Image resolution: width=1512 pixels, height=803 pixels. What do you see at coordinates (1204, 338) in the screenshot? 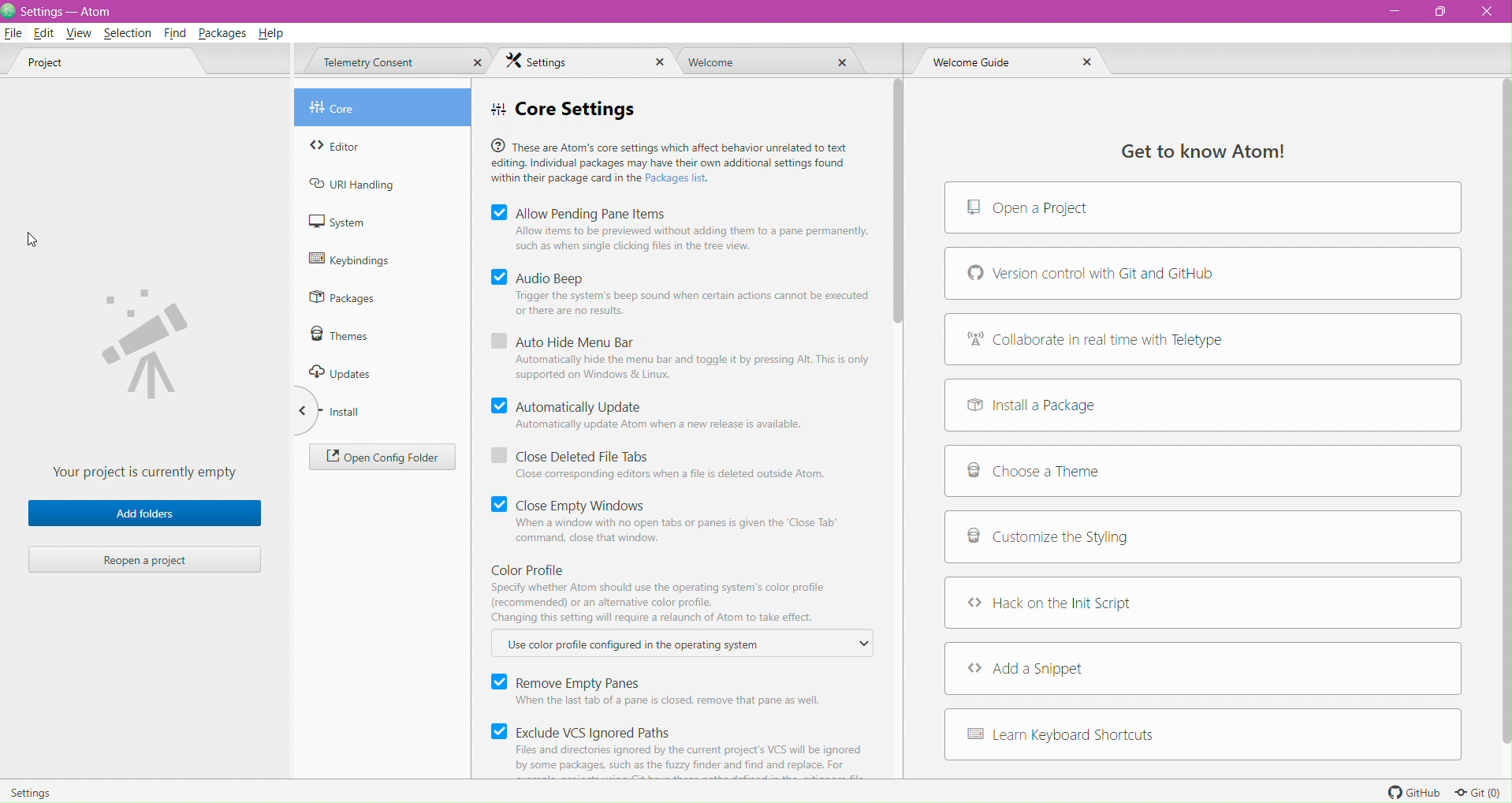
I see `Collaborate in real time with Teletype` at bounding box center [1204, 338].